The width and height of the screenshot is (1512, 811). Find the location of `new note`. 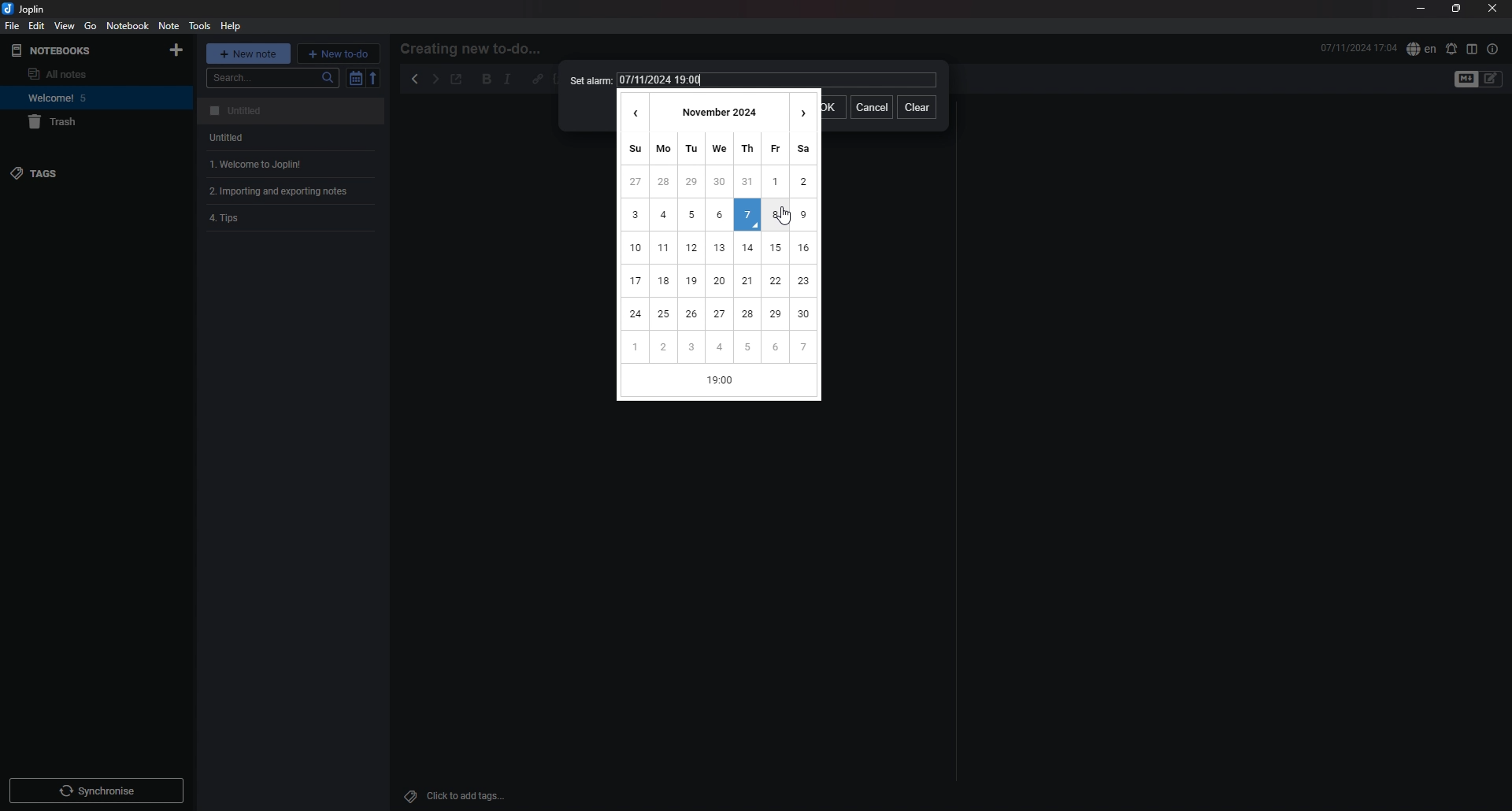

new note is located at coordinates (248, 52).